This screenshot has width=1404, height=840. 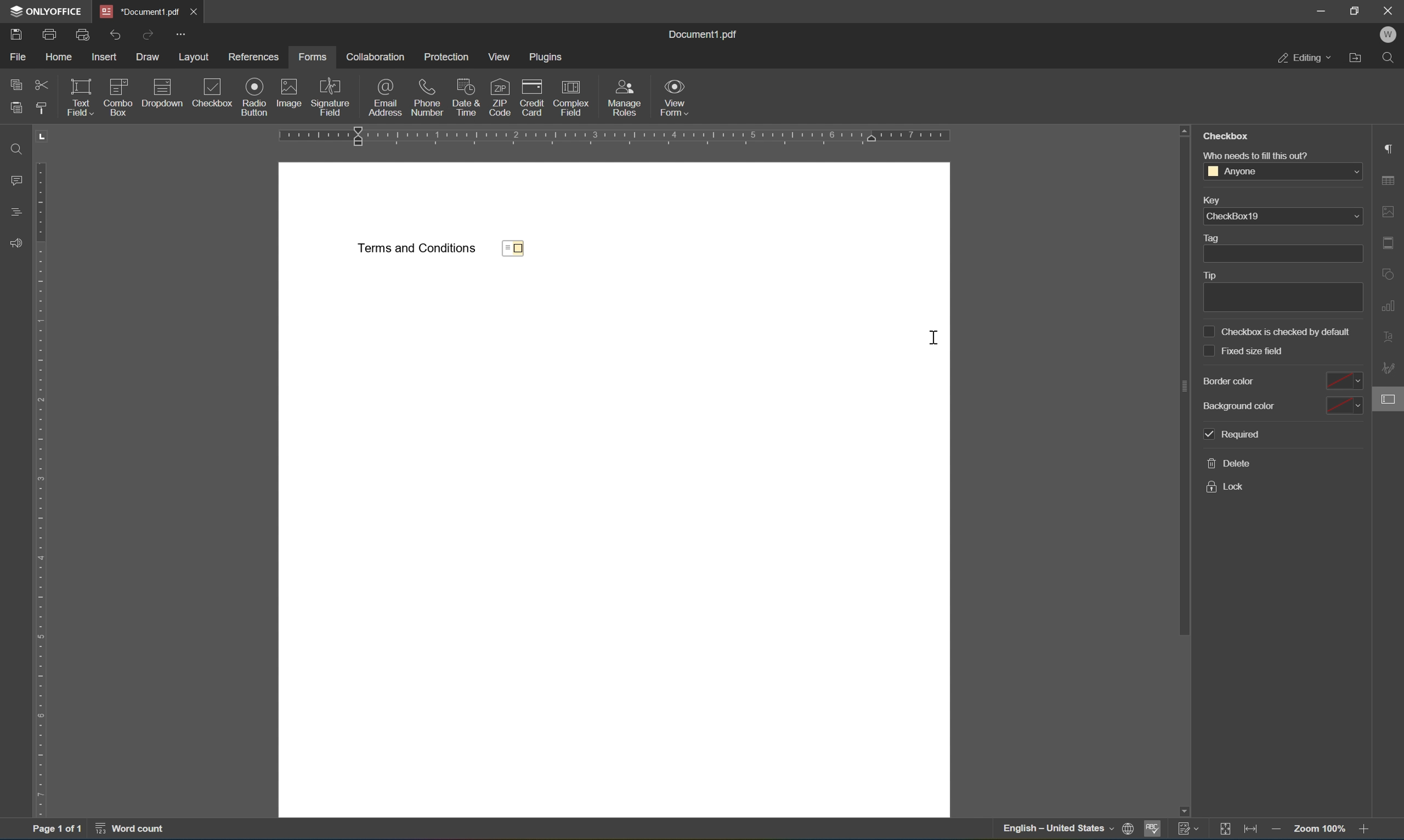 I want to click on email address, so click(x=386, y=96).